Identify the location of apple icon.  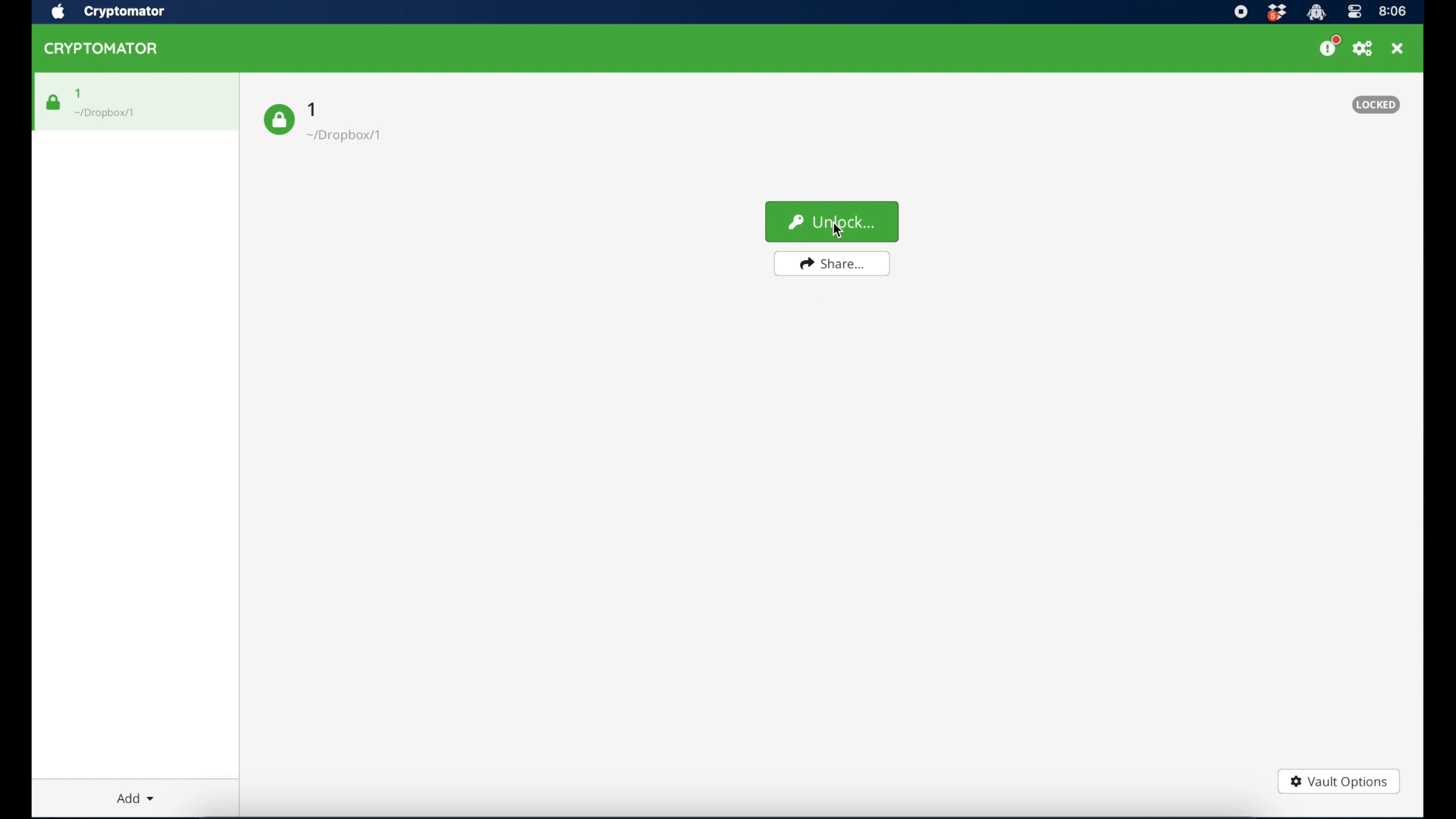
(58, 12).